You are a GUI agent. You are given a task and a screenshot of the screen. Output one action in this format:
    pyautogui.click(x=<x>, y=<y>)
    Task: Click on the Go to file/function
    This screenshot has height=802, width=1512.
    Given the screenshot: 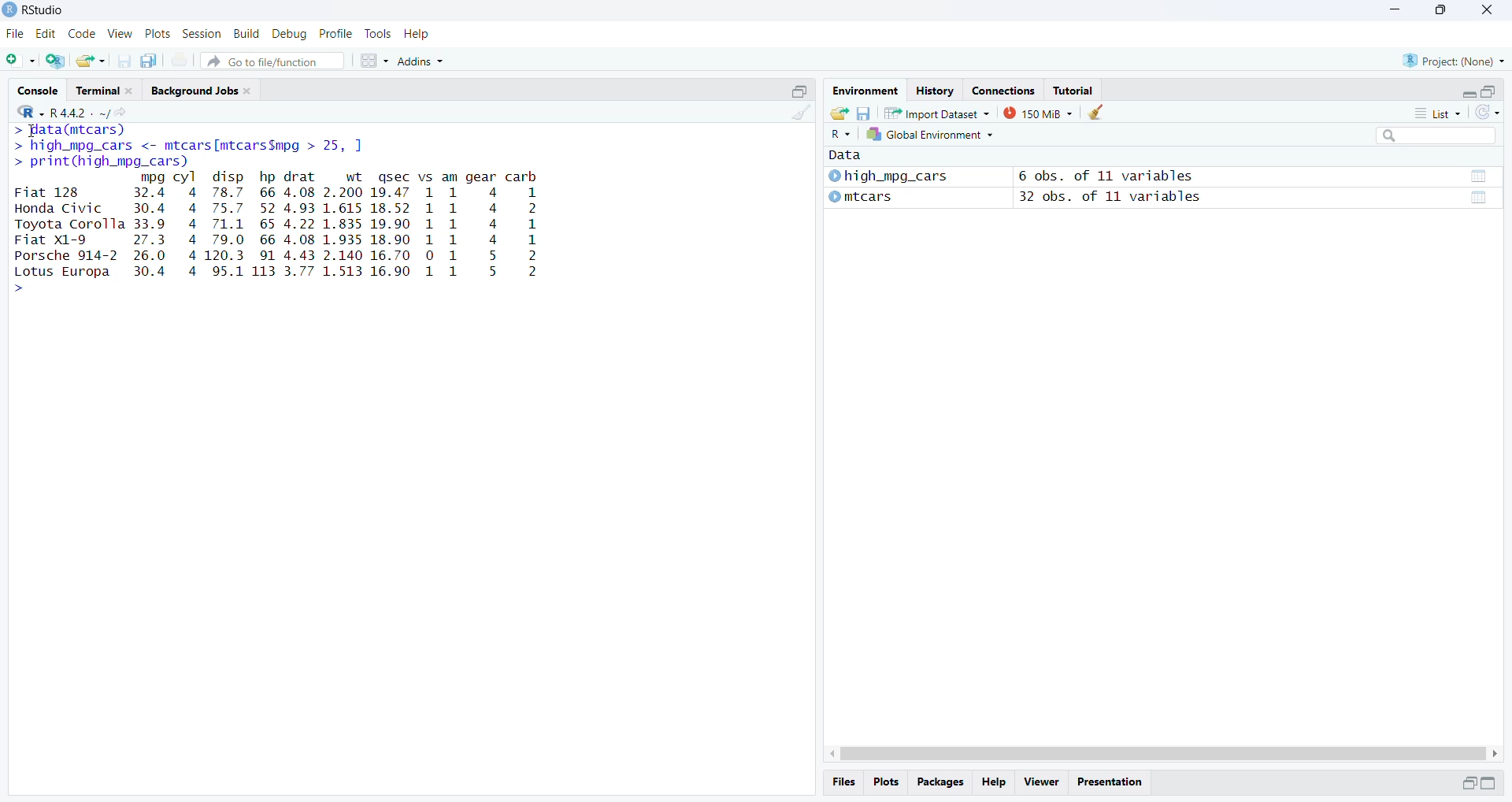 What is the action you would take?
    pyautogui.click(x=271, y=61)
    